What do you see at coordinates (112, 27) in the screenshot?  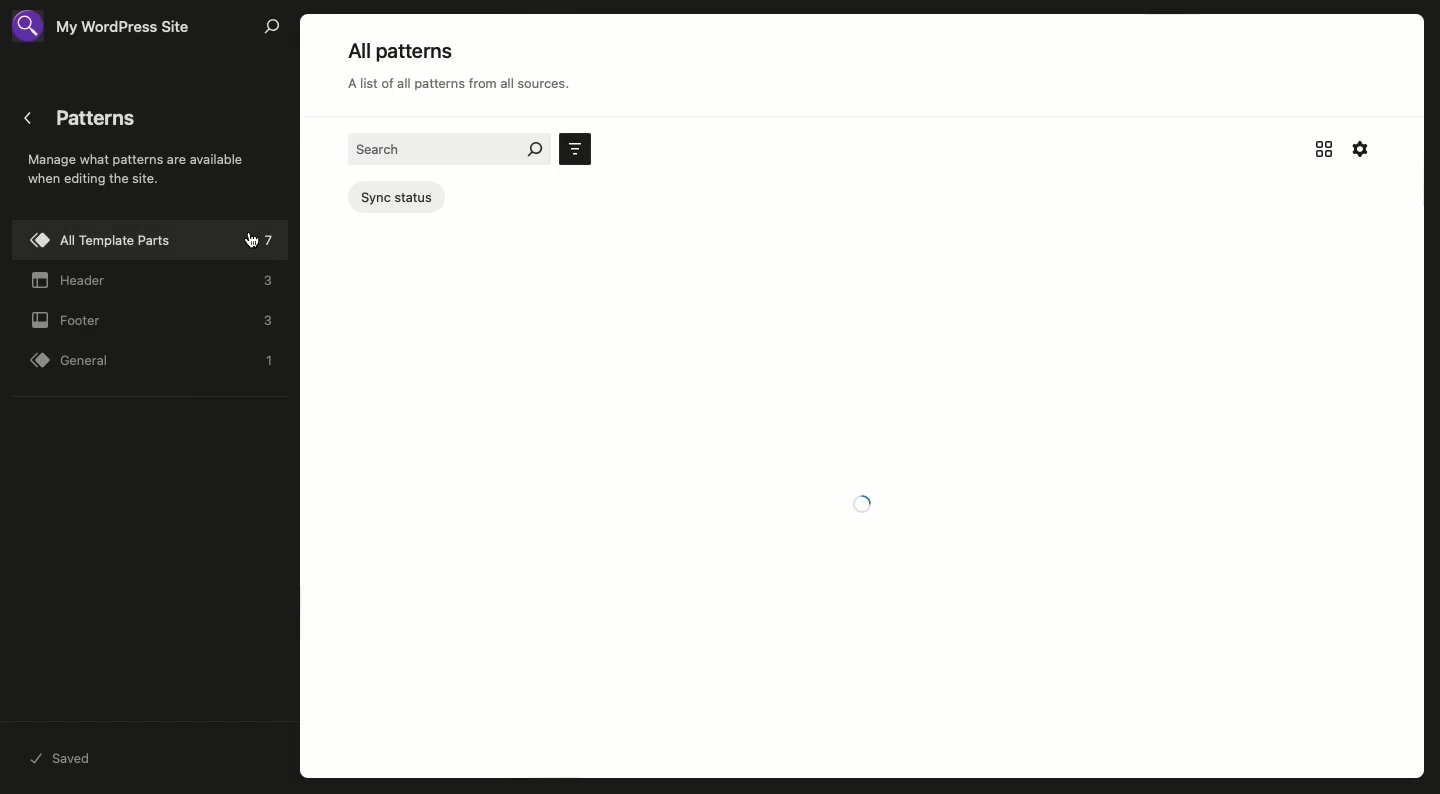 I see `Site` at bounding box center [112, 27].